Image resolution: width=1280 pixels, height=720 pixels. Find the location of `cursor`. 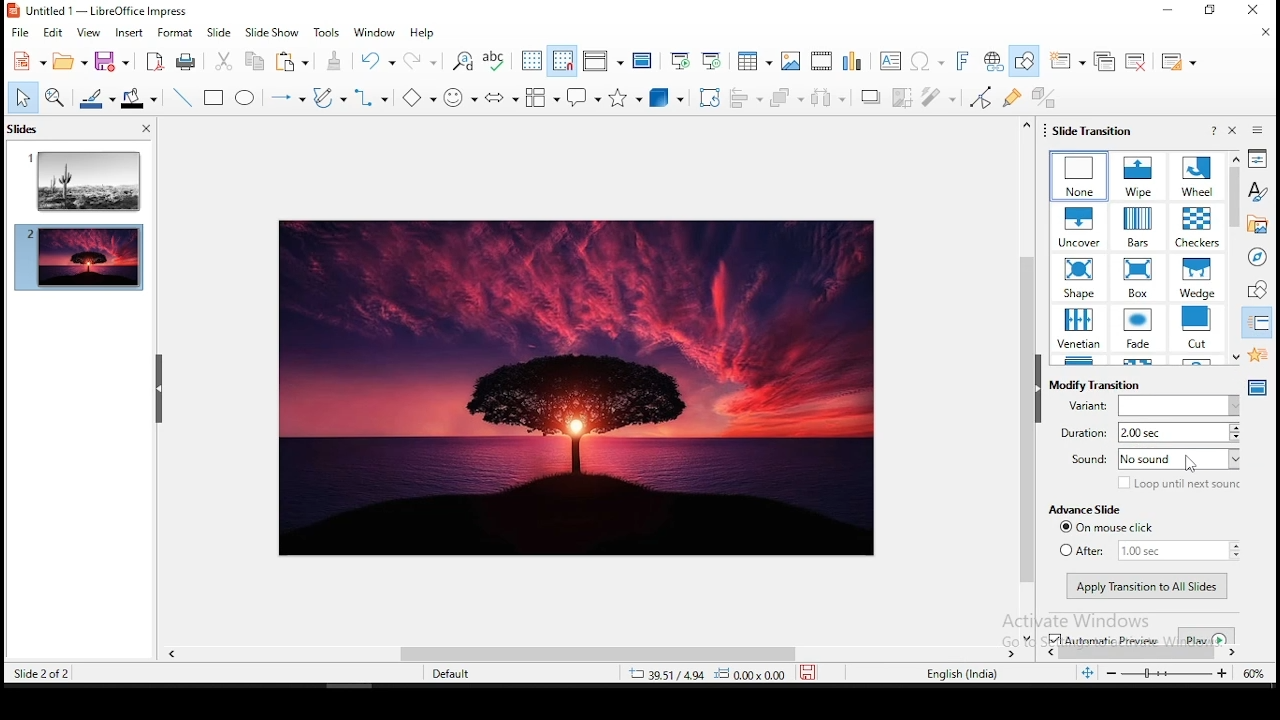

cursor is located at coordinates (1191, 465).